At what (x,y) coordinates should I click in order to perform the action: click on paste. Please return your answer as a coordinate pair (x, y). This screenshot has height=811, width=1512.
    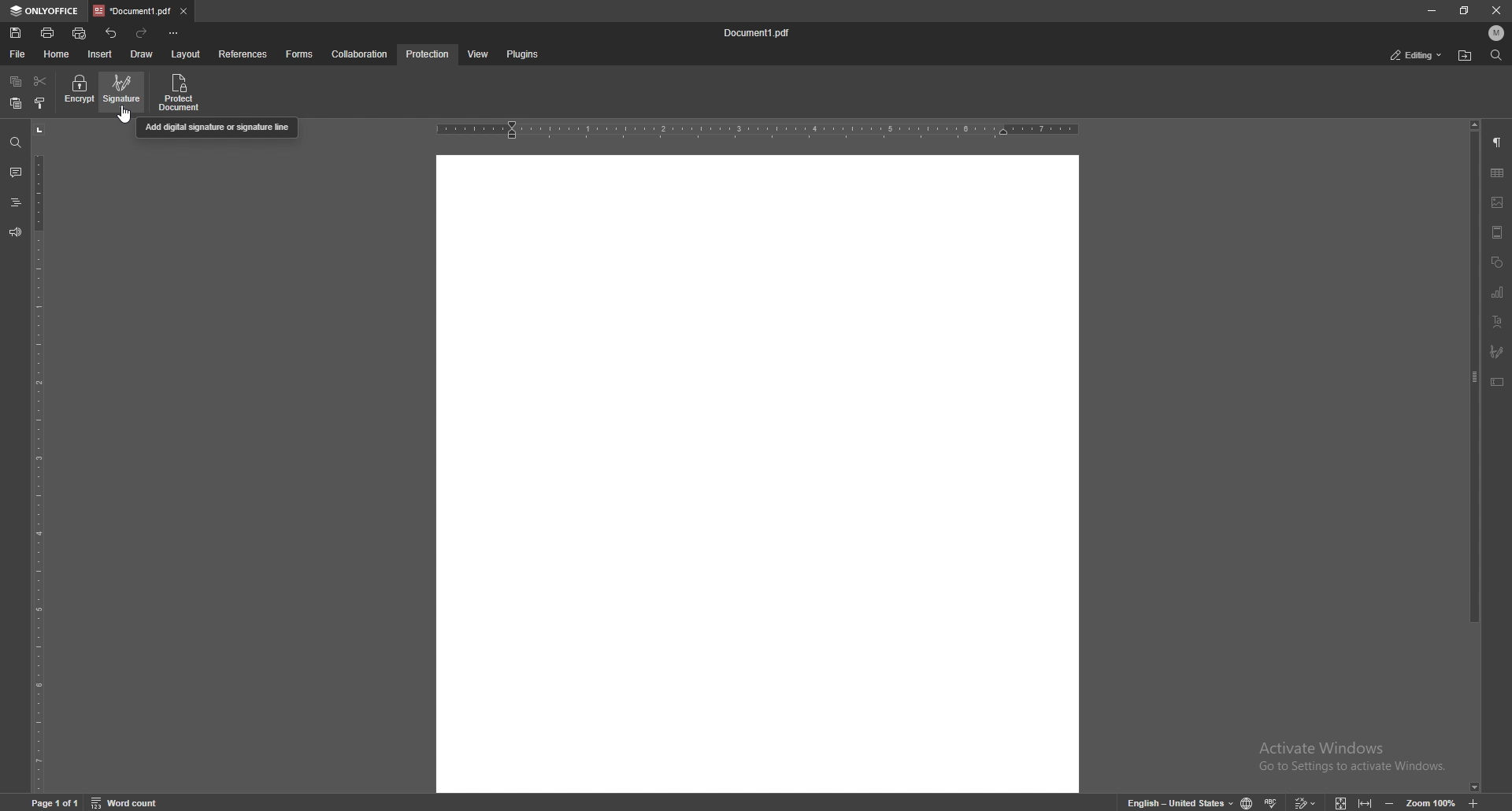
    Looking at the image, I should click on (15, 104).